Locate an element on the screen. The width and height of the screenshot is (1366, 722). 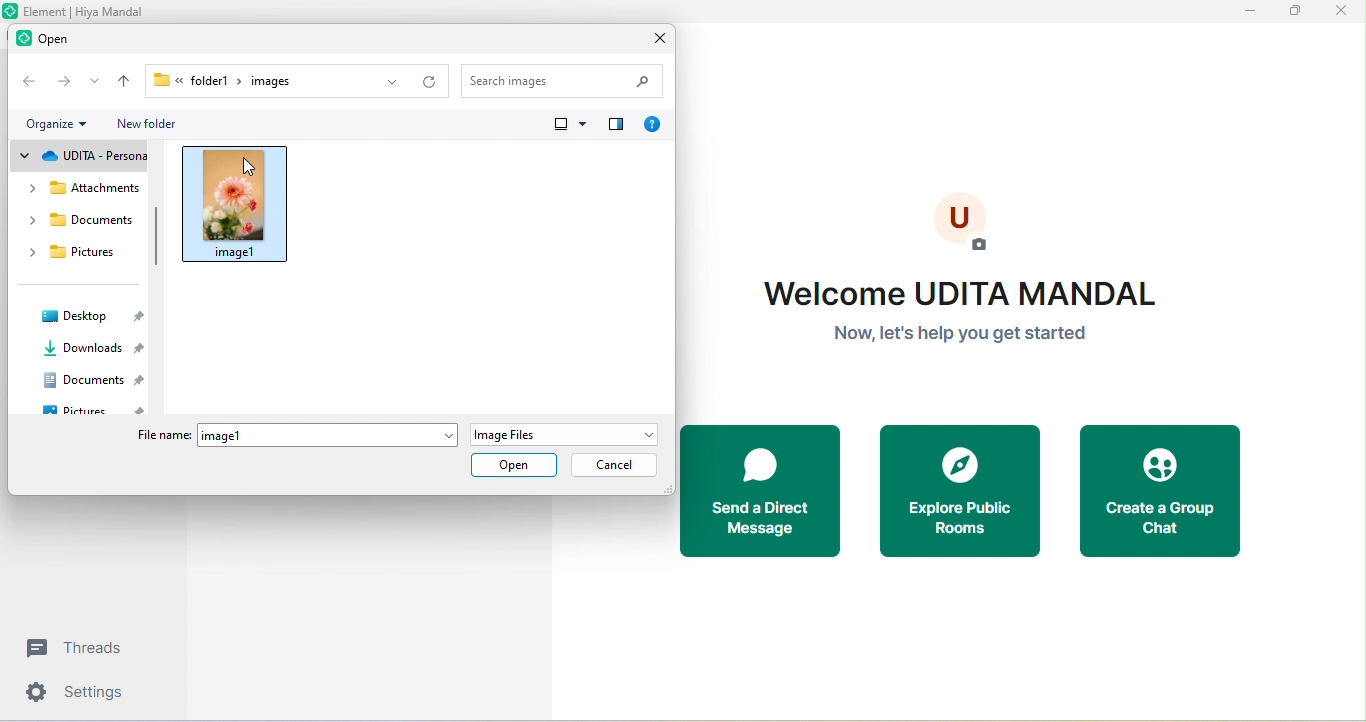
open is located at coordinates (53, 41).